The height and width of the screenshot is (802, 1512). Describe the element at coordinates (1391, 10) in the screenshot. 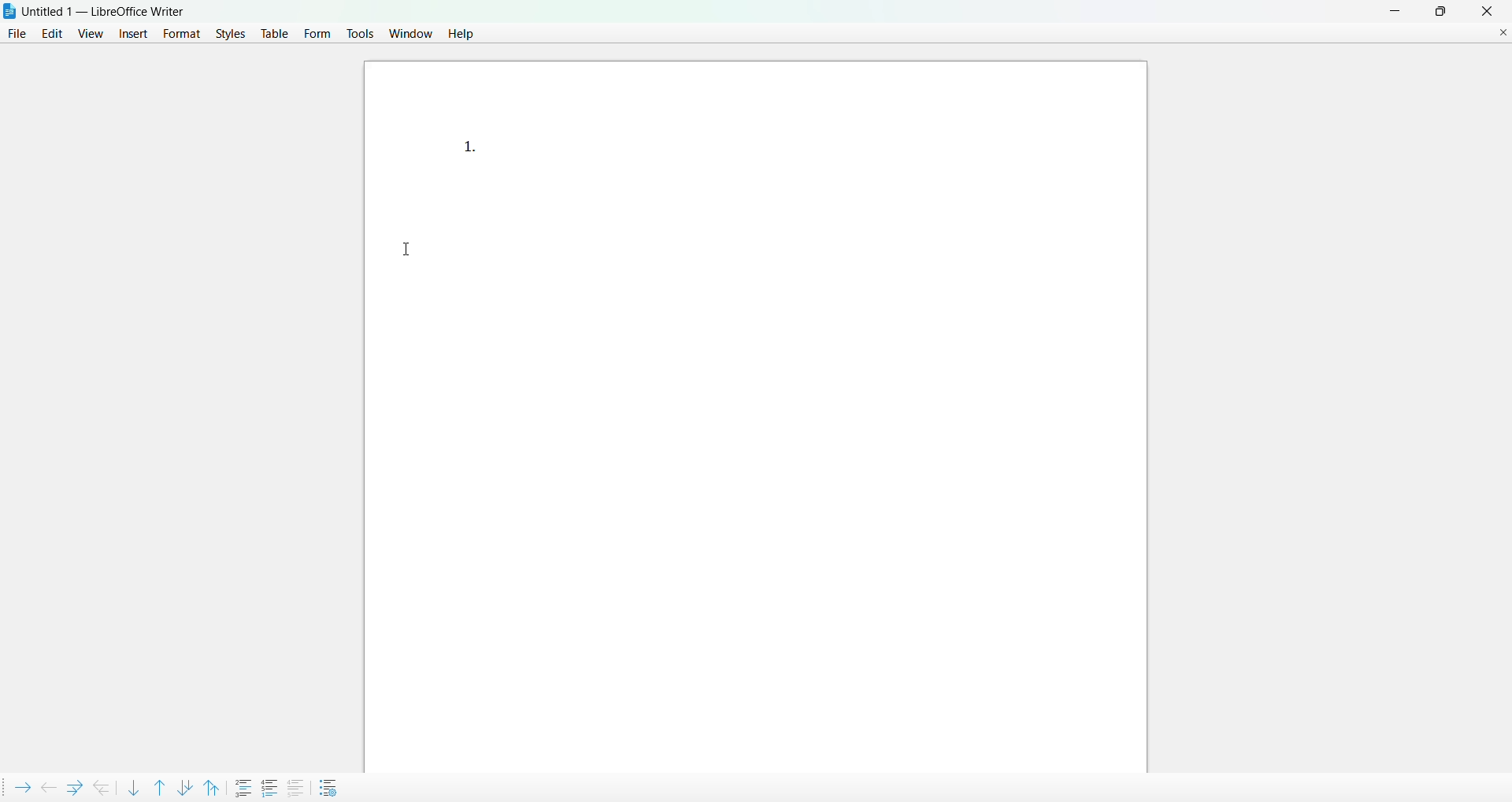

I see `minimize` at that location.